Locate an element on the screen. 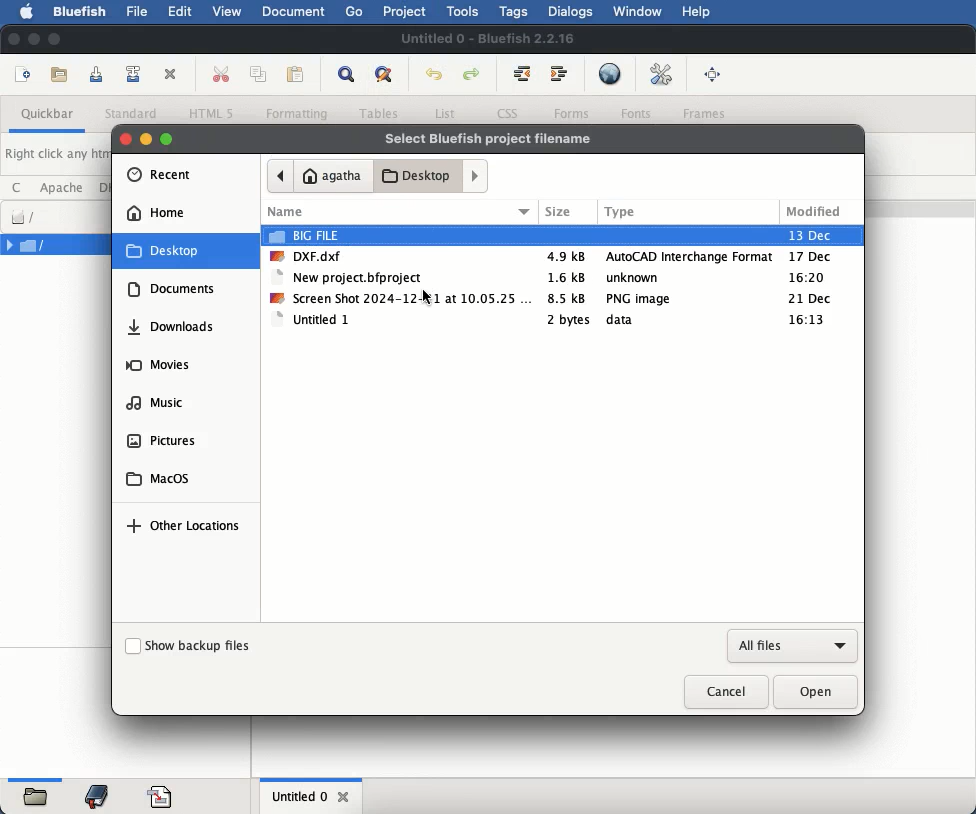  16:20 is located at coordinates (811, 277).